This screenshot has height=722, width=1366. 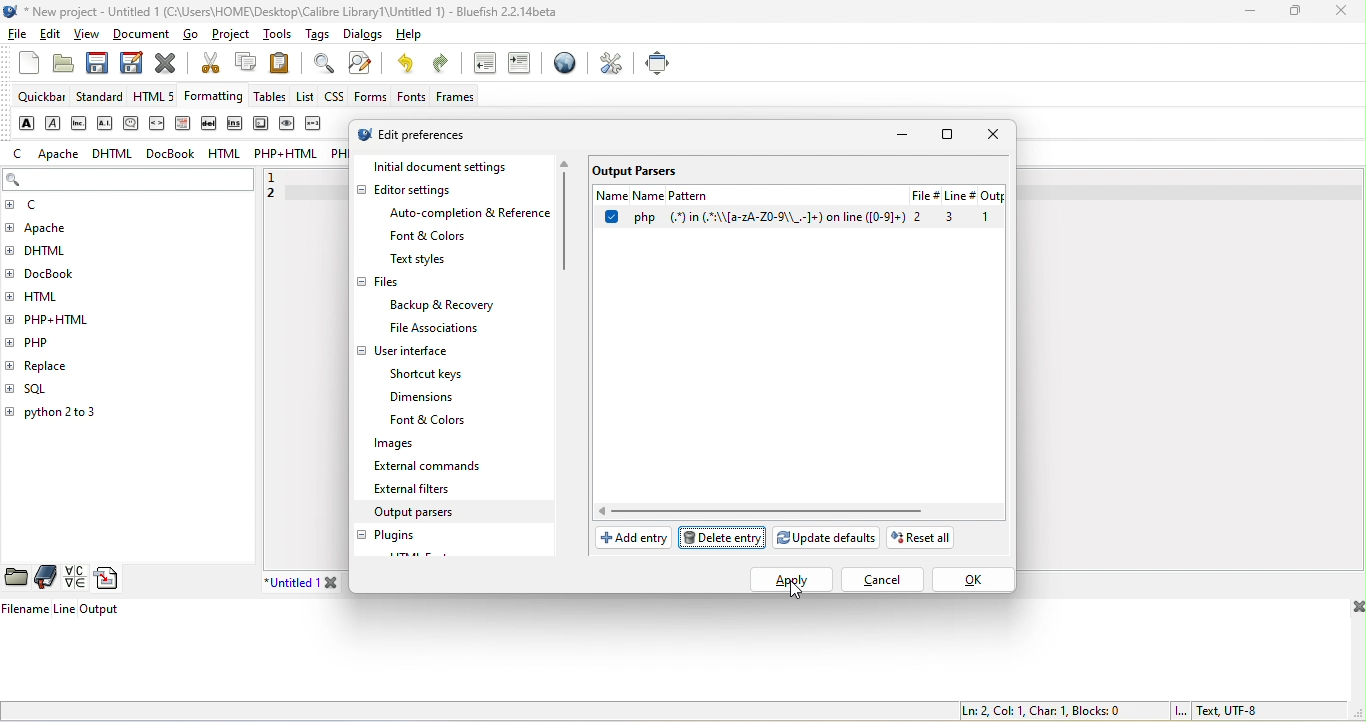 What do you see at coordinates (18, 35) in the screenshot?
I see `file` at bounding box center [18, 35].